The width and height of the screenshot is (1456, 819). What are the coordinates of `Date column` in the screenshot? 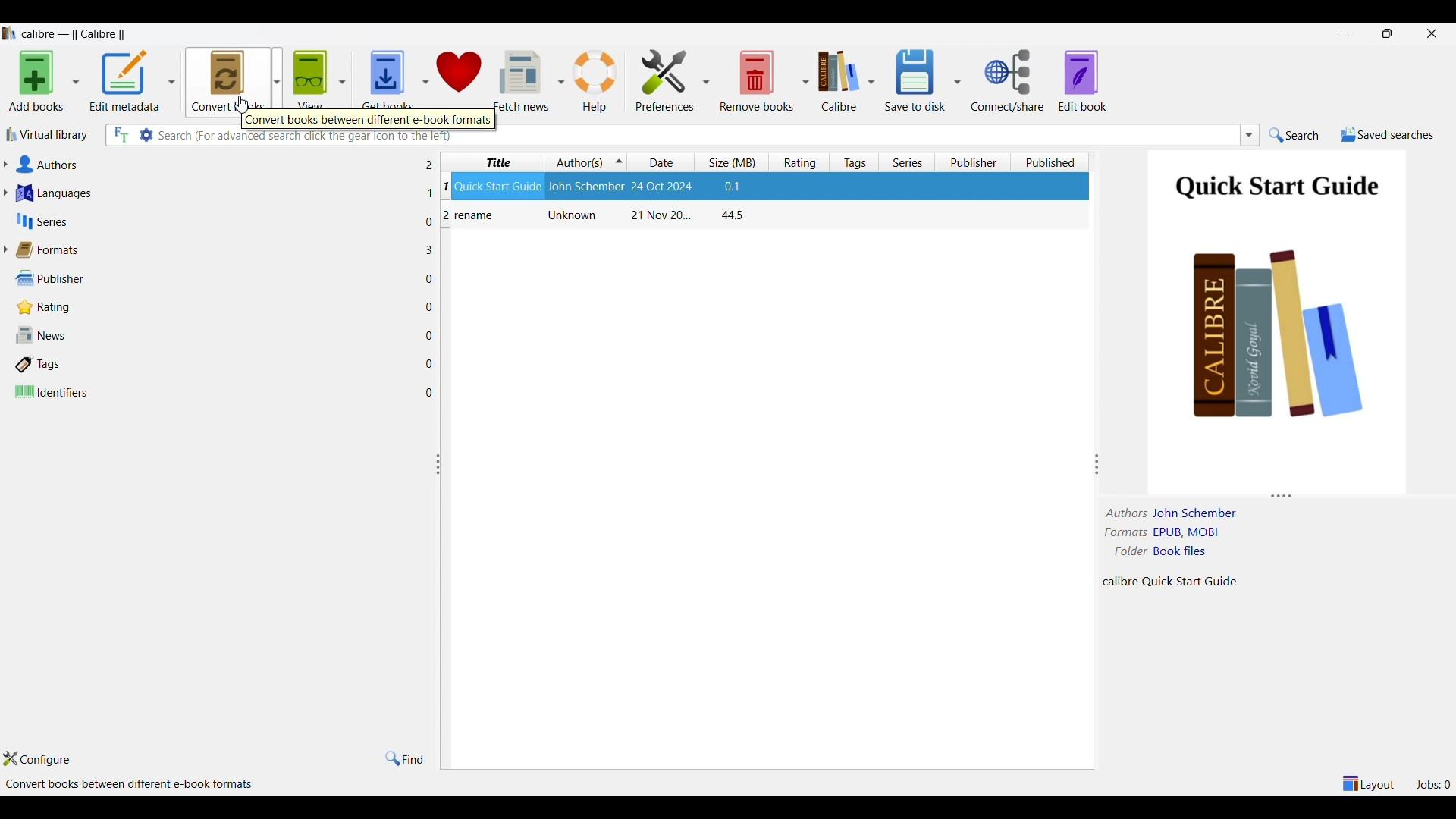 It's located at (663, 162).